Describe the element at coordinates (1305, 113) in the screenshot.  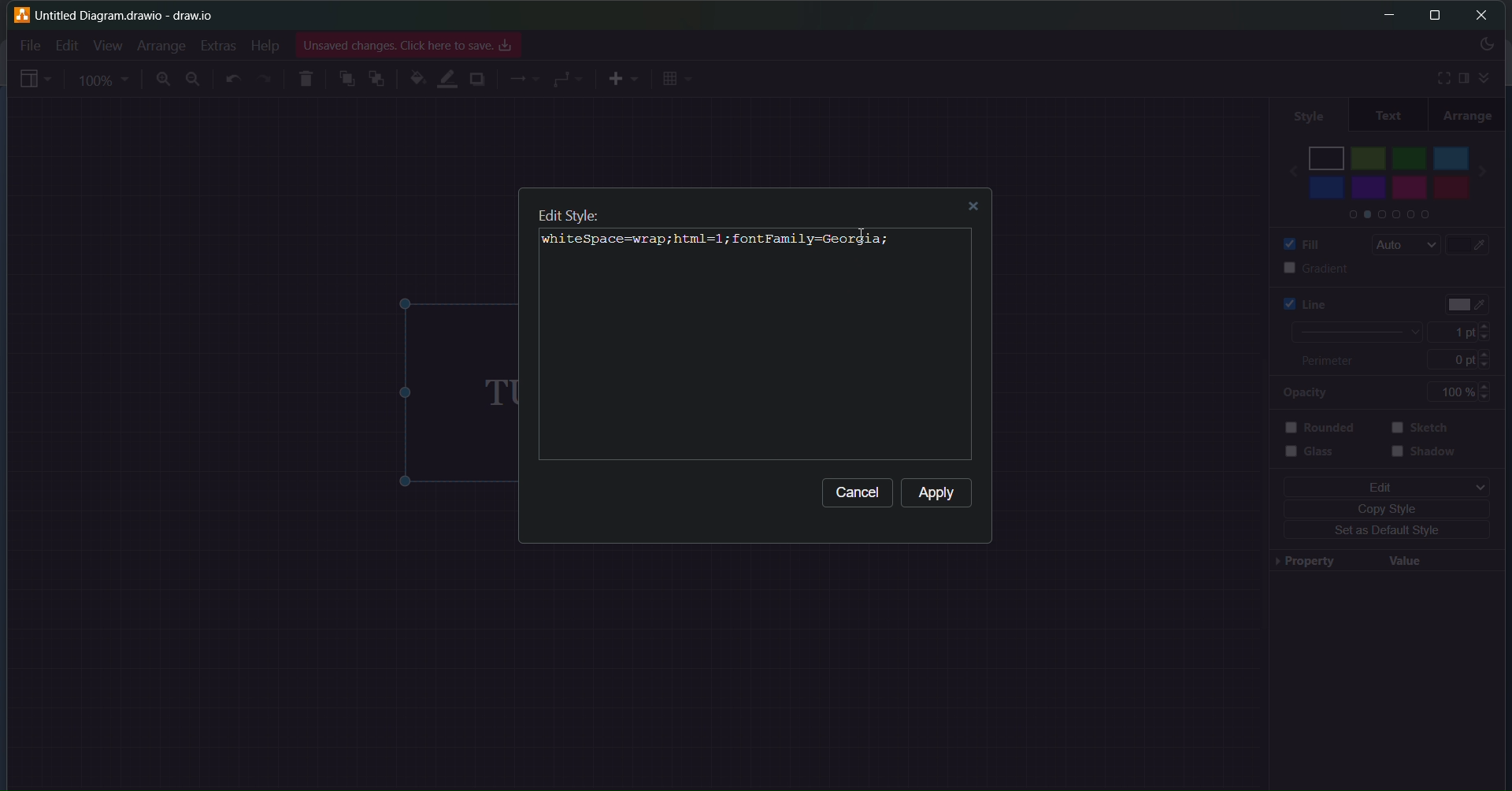
I see `style` at that location.